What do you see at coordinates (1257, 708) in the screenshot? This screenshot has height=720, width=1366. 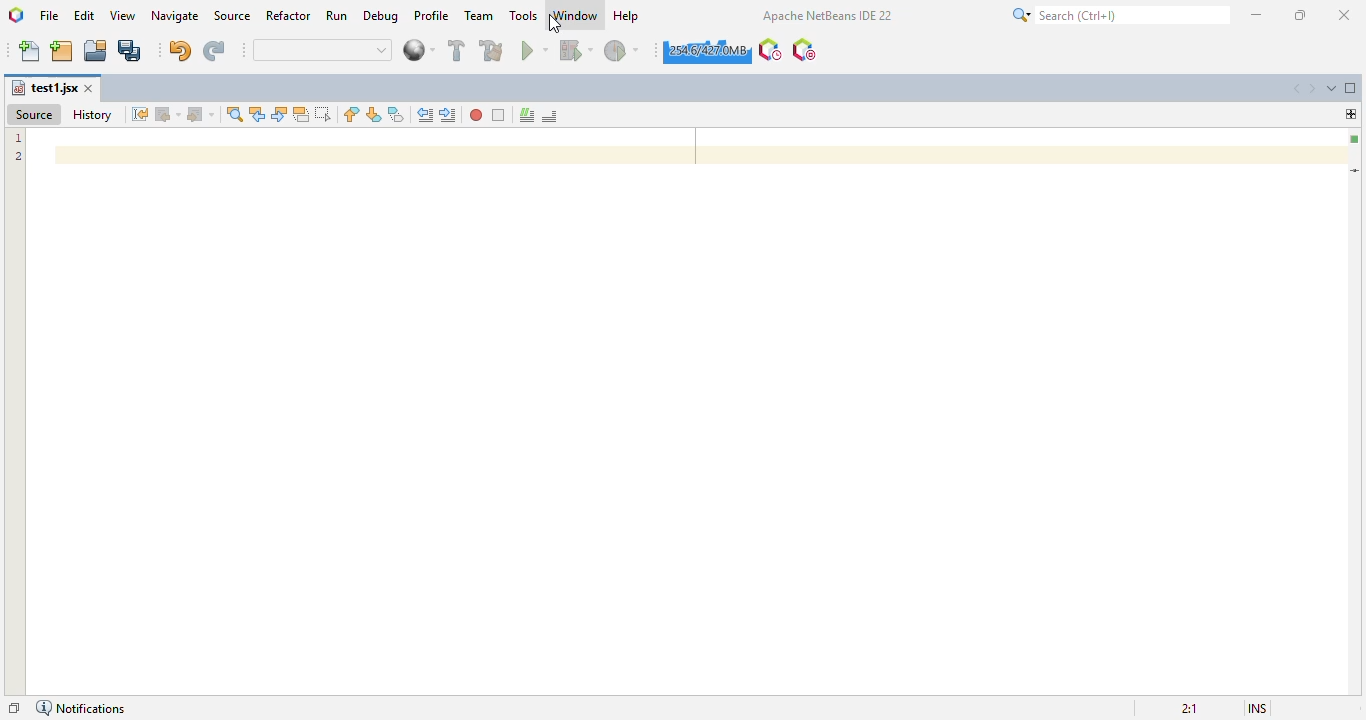 I see `insert mode` at bounding box center [1257, 708].